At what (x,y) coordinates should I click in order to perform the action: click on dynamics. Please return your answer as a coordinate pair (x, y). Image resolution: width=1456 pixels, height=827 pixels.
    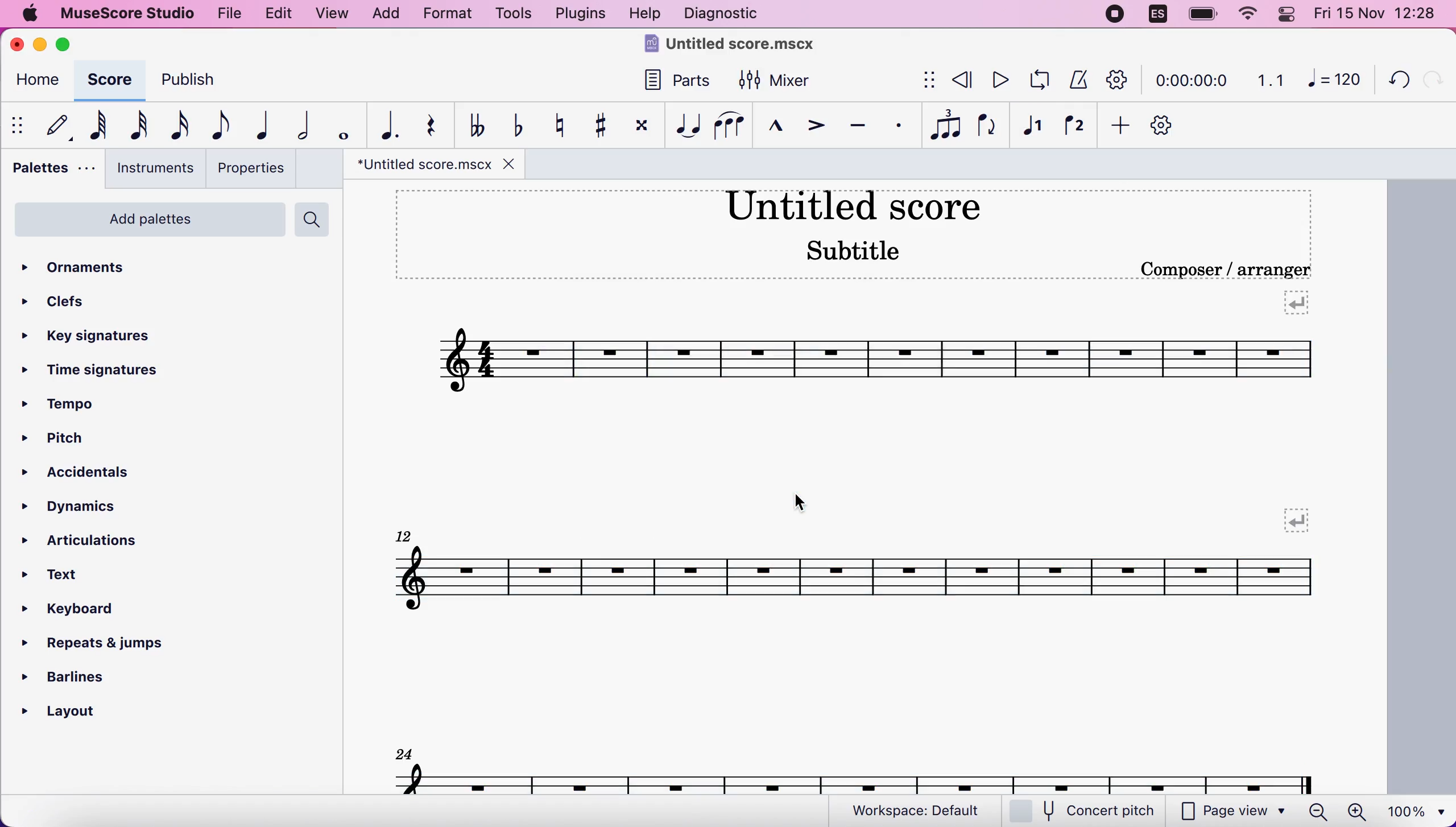
    Looking at the image, I should click on (85, 507).